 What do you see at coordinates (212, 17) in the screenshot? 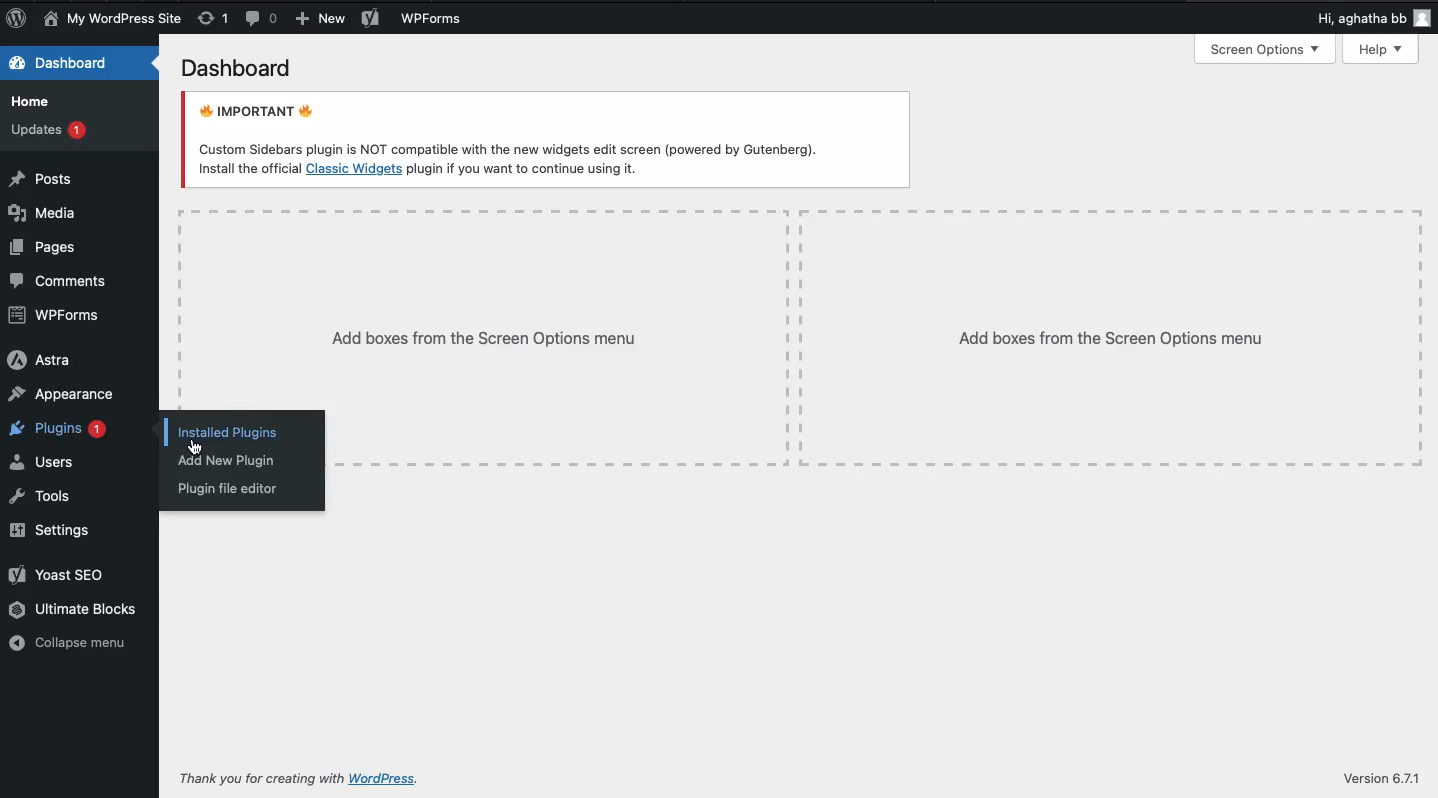
I see `Revision` at bounding box center [212, 17].